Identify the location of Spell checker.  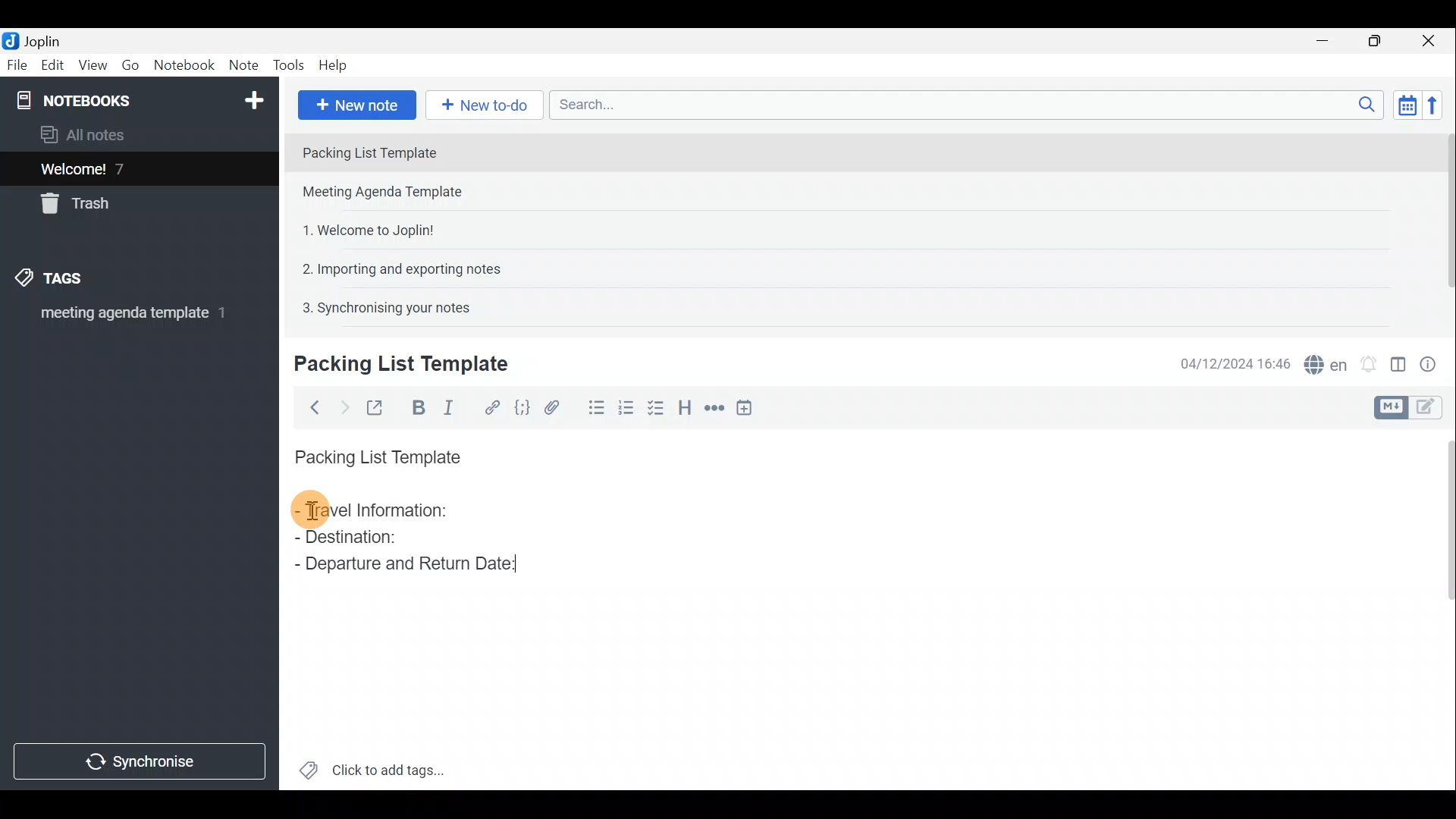
(1322, 362).